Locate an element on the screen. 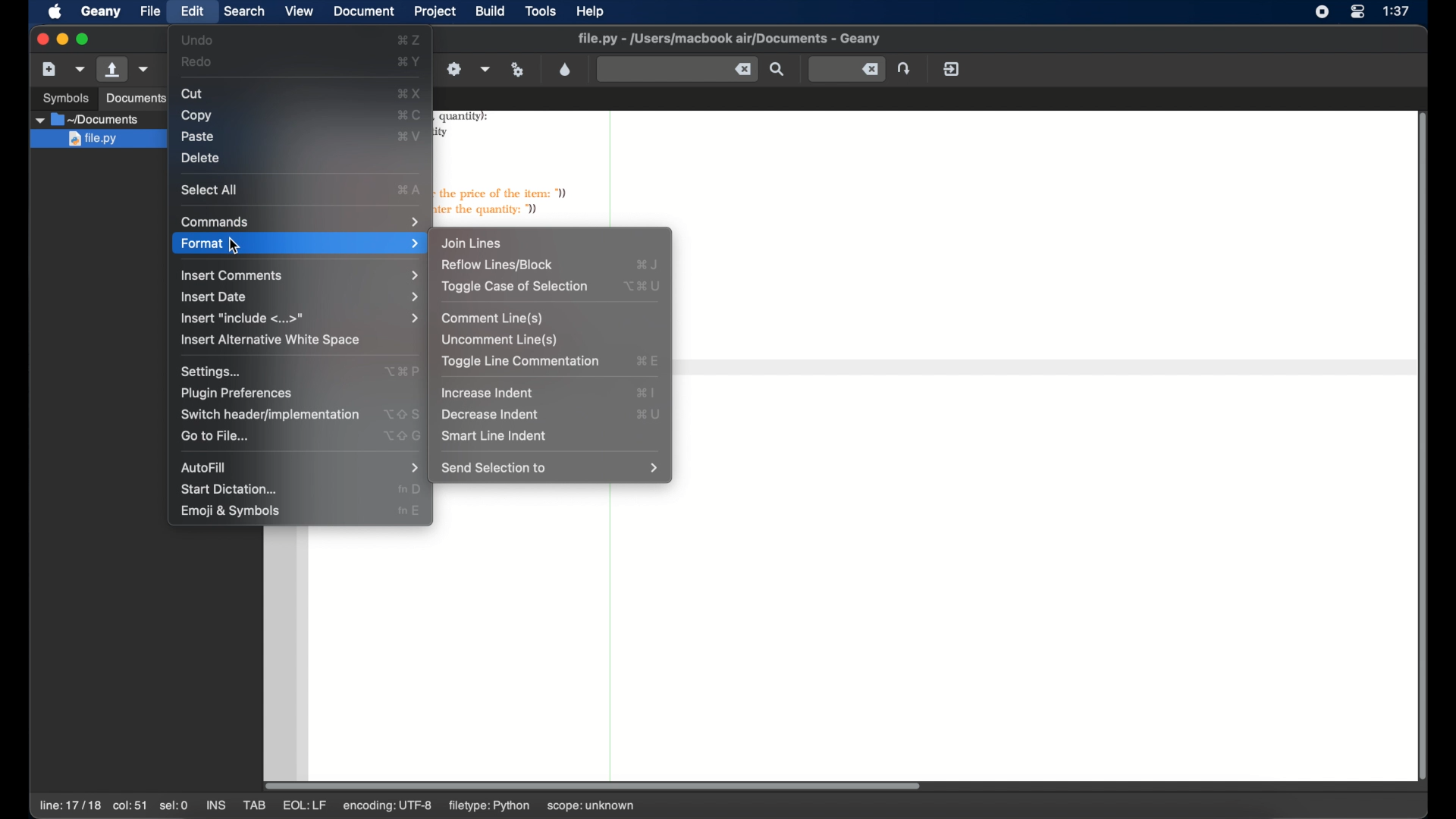 This screenshot has height=819, width=1456. autofill is located at coordinates (204, 468).